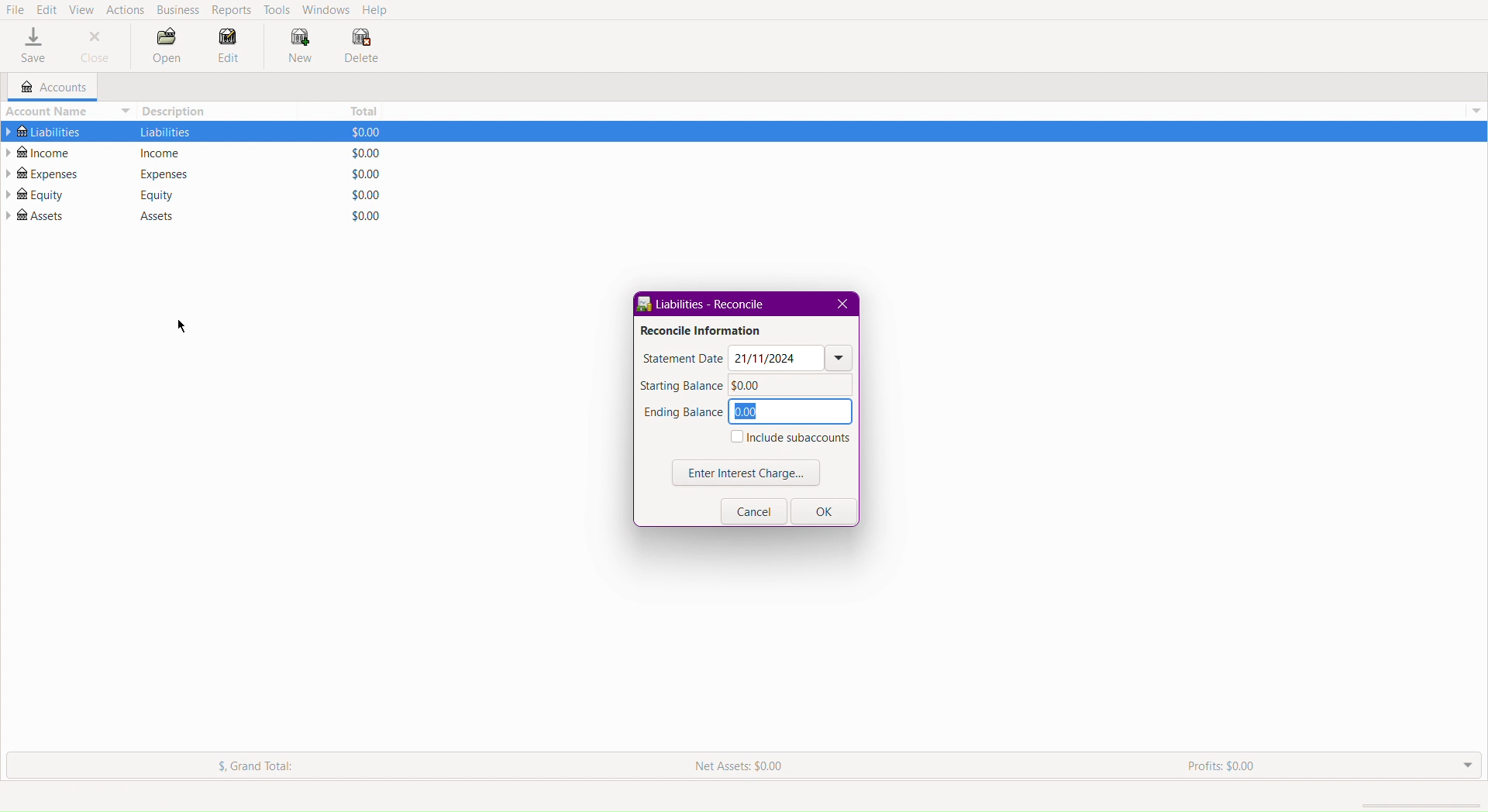  What do you see at coordinates (366, 195) in the screenshot?
I see `Total` at bounding box center [366, 195].